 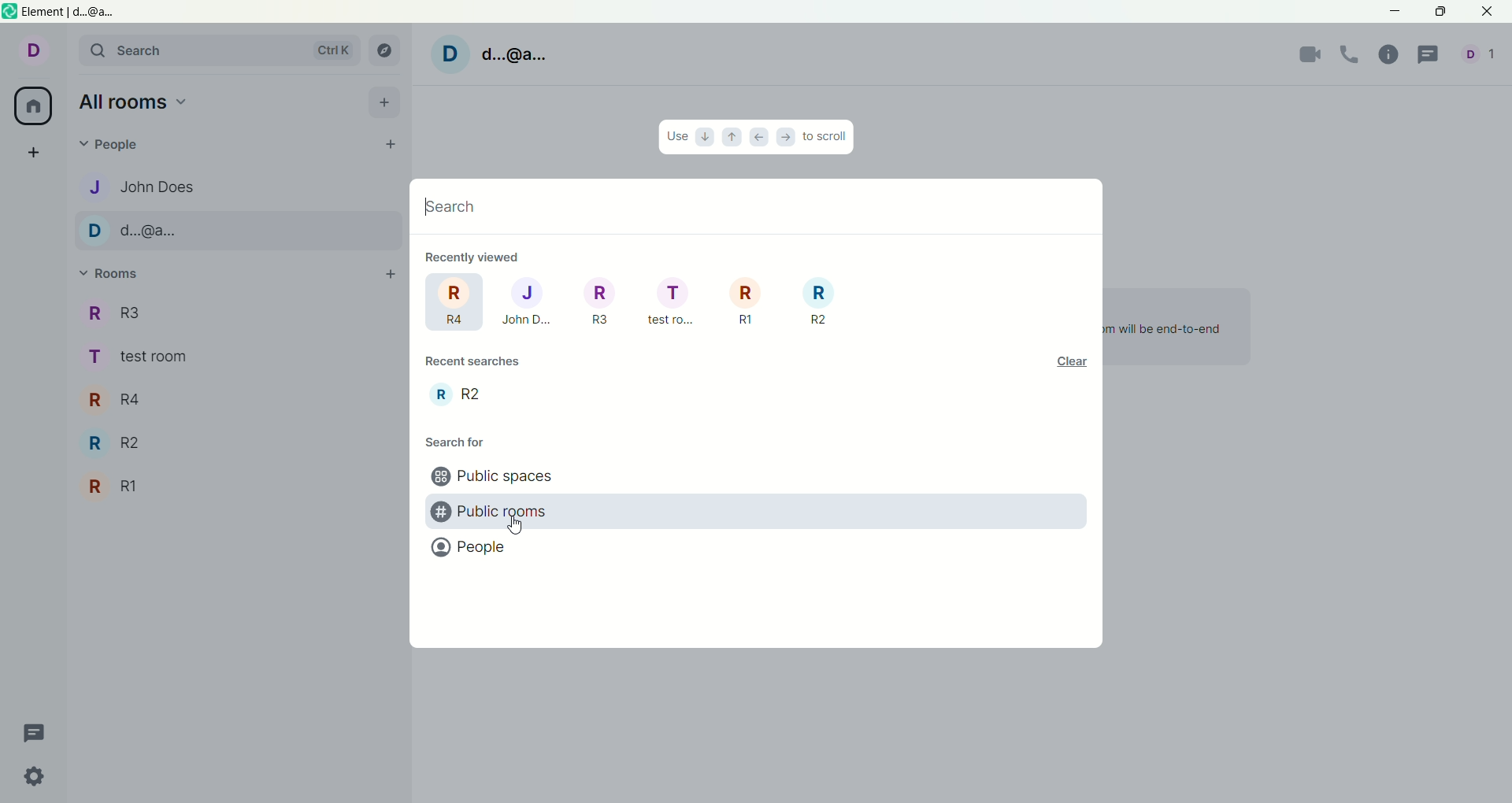 I want to click on test room, so click(x=240, y=357).